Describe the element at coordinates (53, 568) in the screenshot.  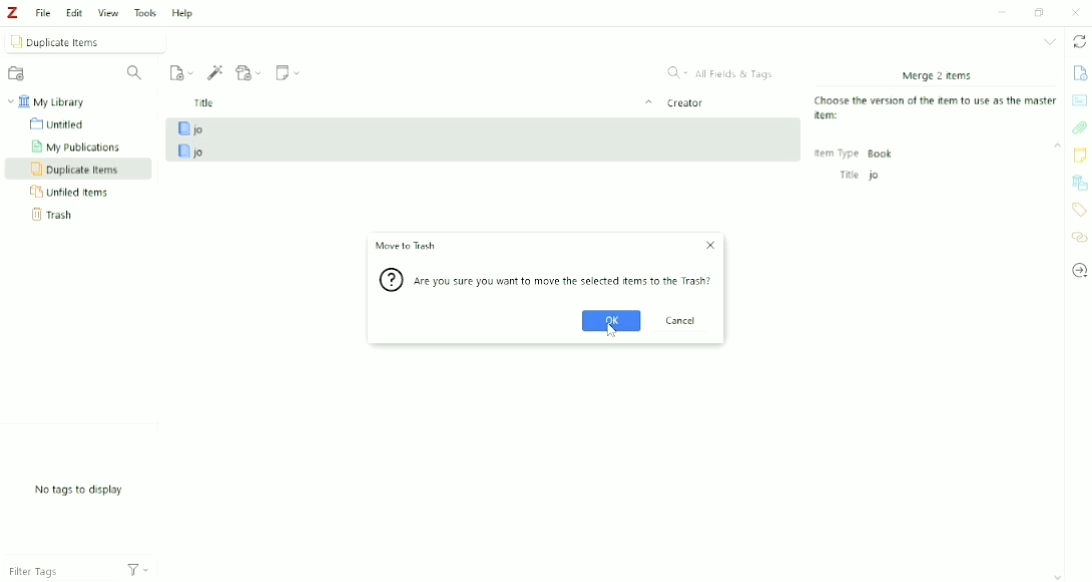
I see `Filter Tags` at that location.